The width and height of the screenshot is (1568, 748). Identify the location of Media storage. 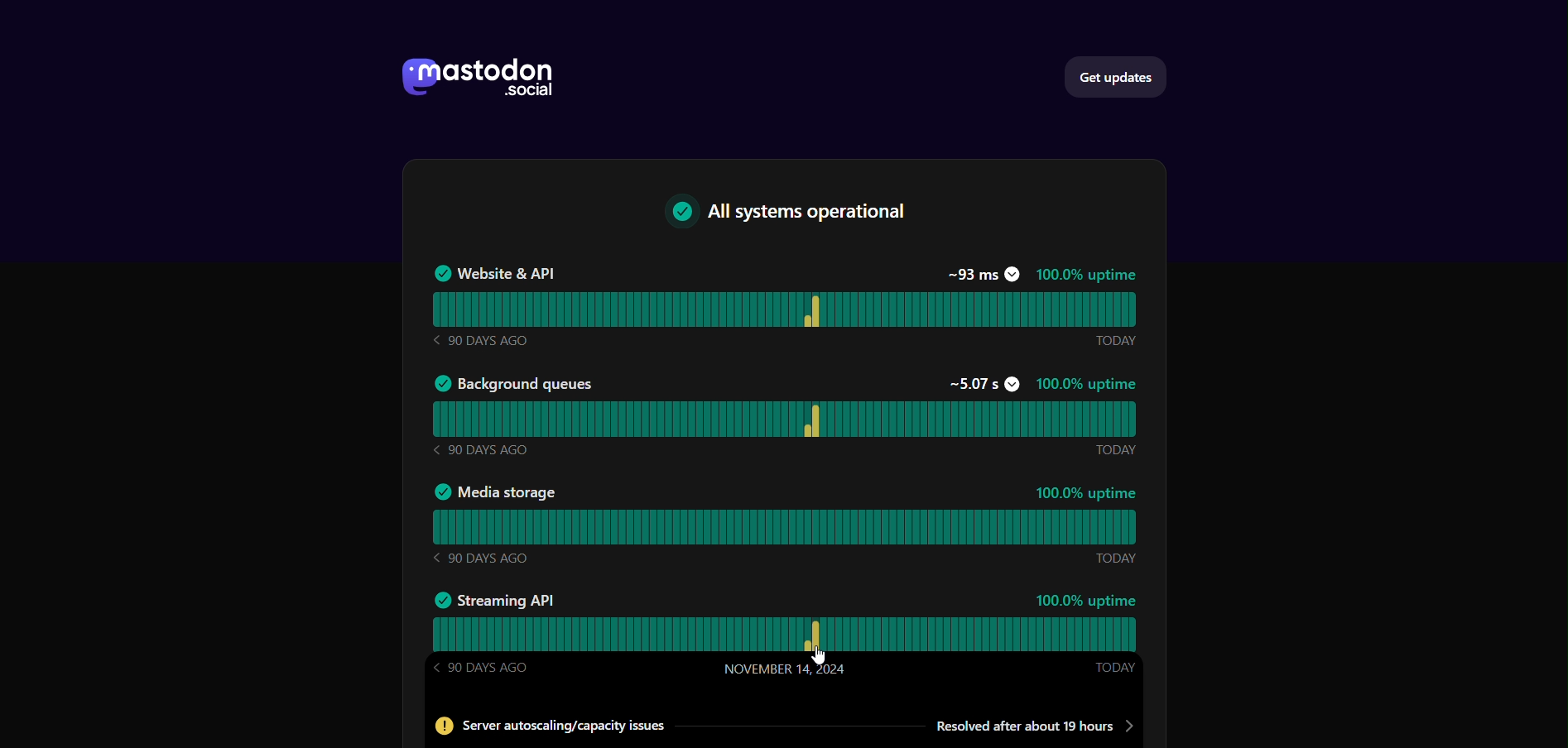
(494, 493).